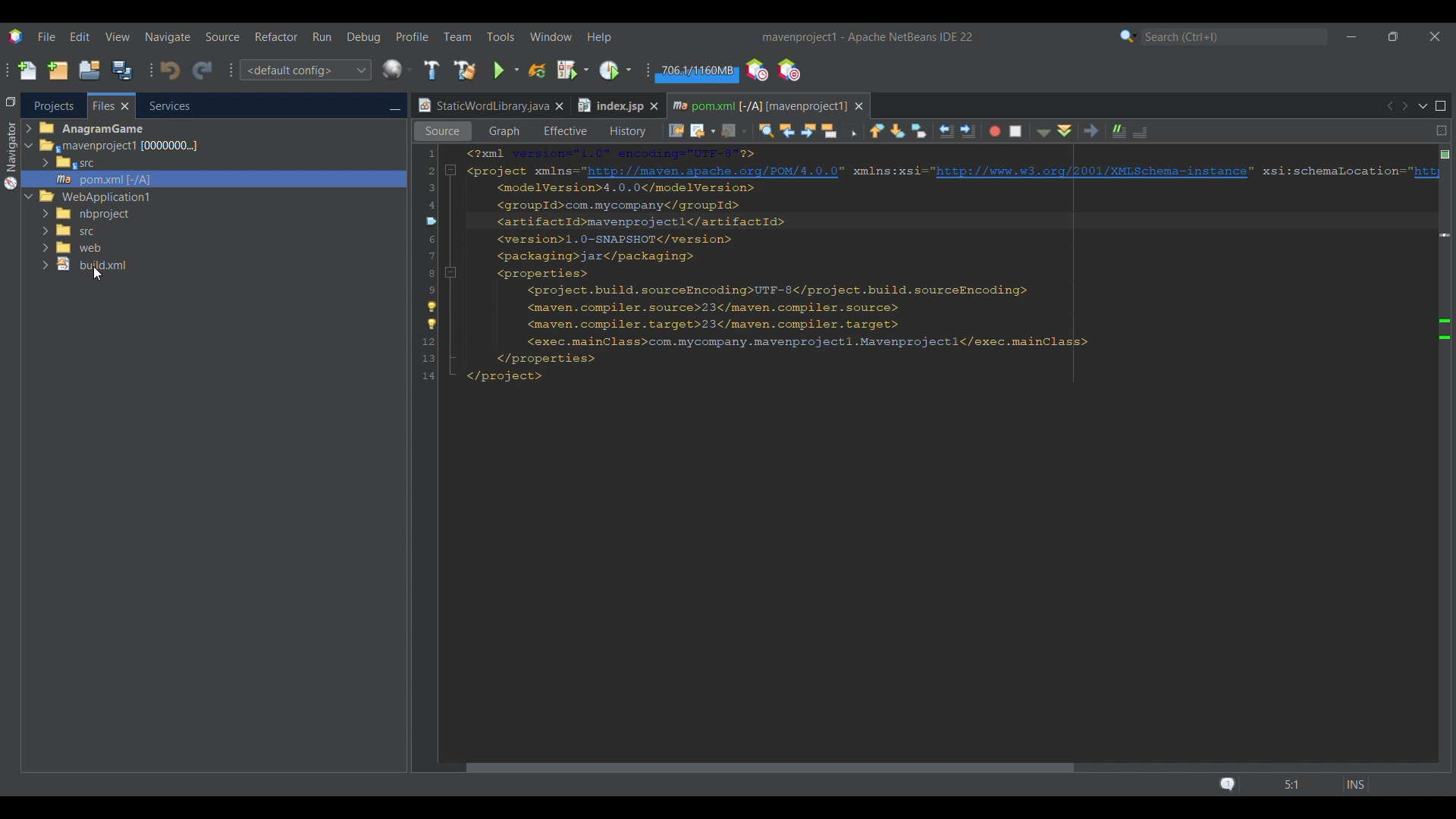 The height and width of the screenshot is (819, 1456). Describe the element at coordinates (436, 231) in the screenshot. I see `Cursor right clicking ` at that location.